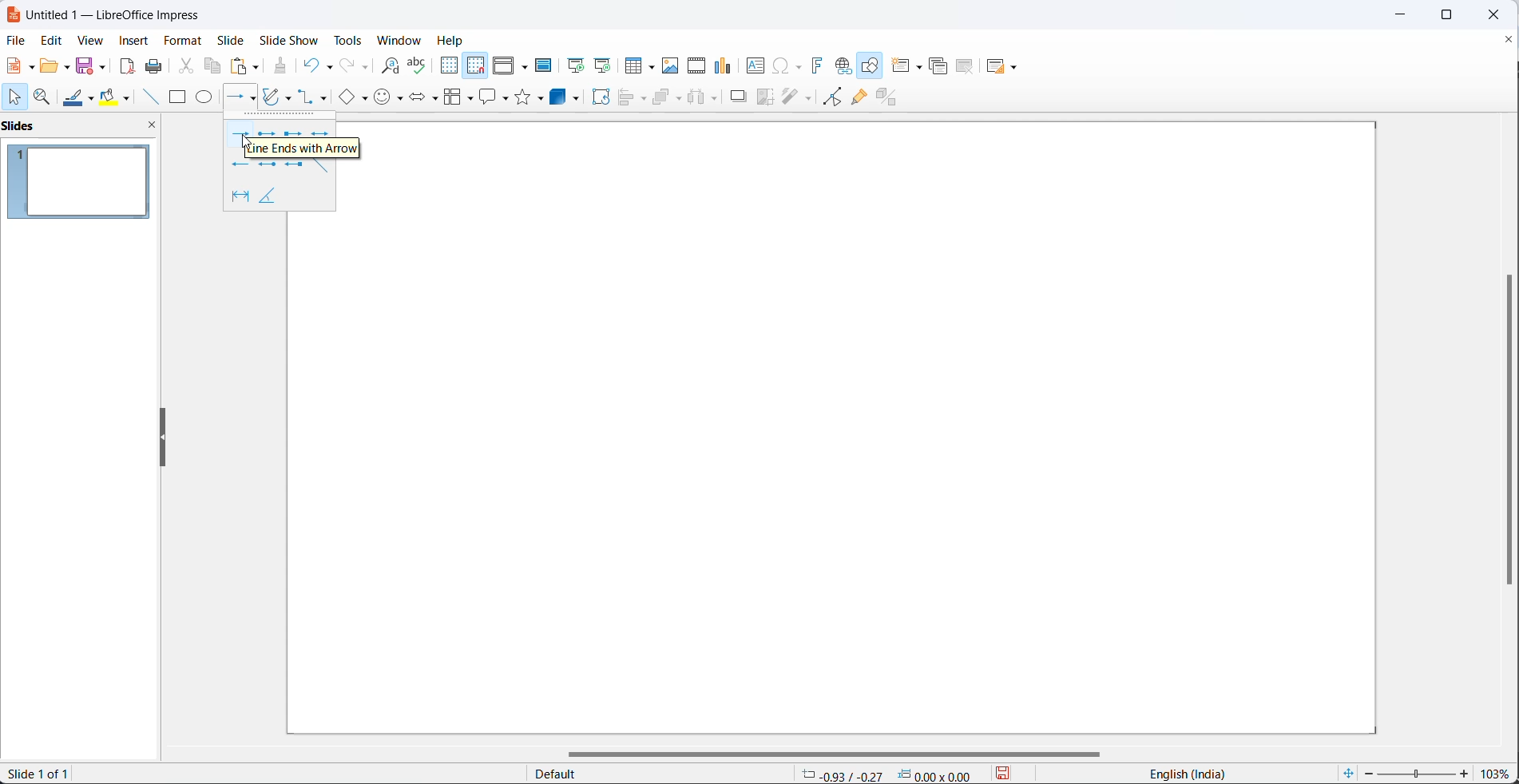 The width and height of the screenshot is (1519, 784). Describe the element at coordinates (317, 65) in the screenshot. I see `undo` at that location.